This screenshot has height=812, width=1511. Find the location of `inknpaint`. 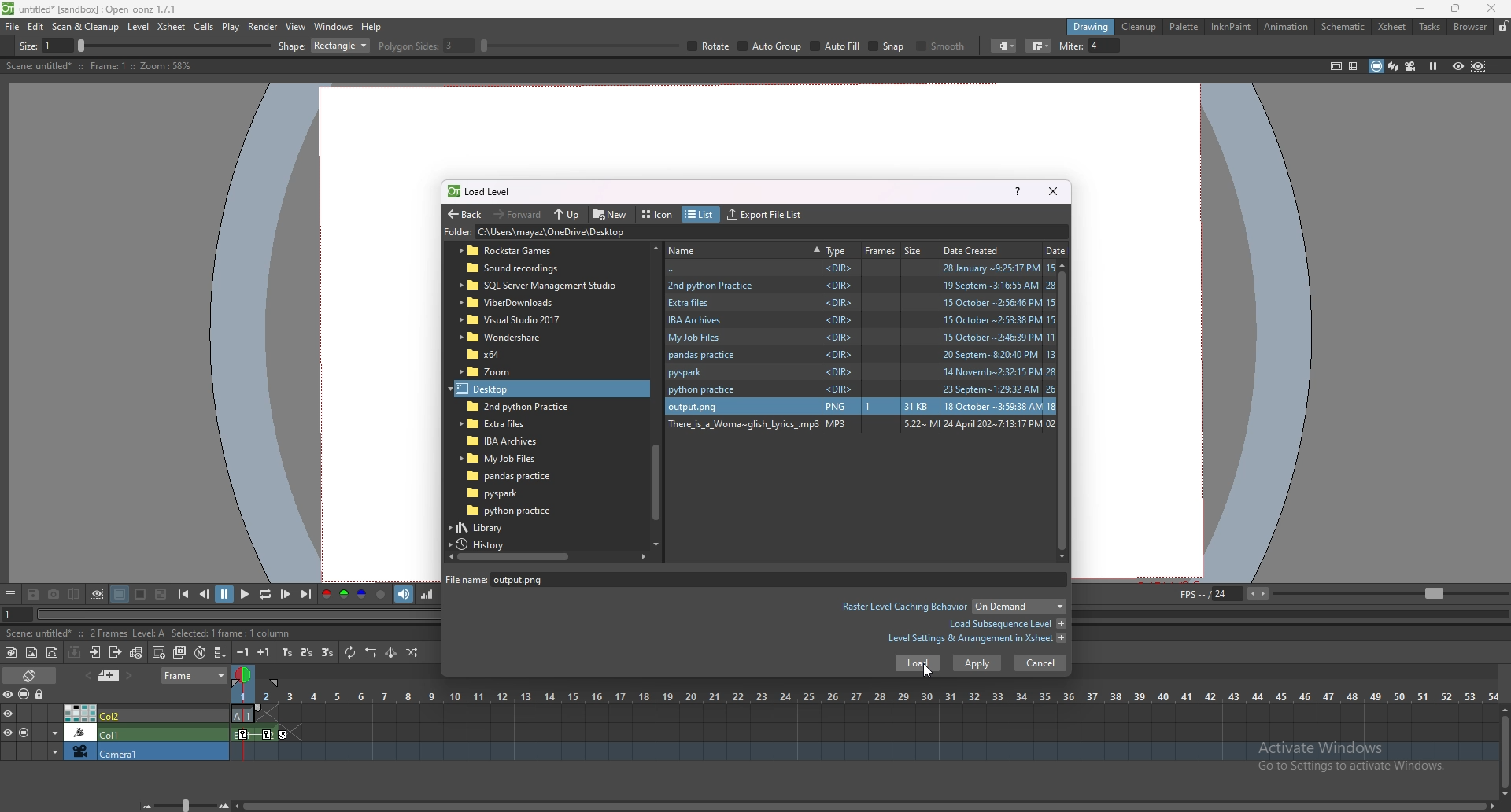

inknpaint is located at coordinates (1231, 27).